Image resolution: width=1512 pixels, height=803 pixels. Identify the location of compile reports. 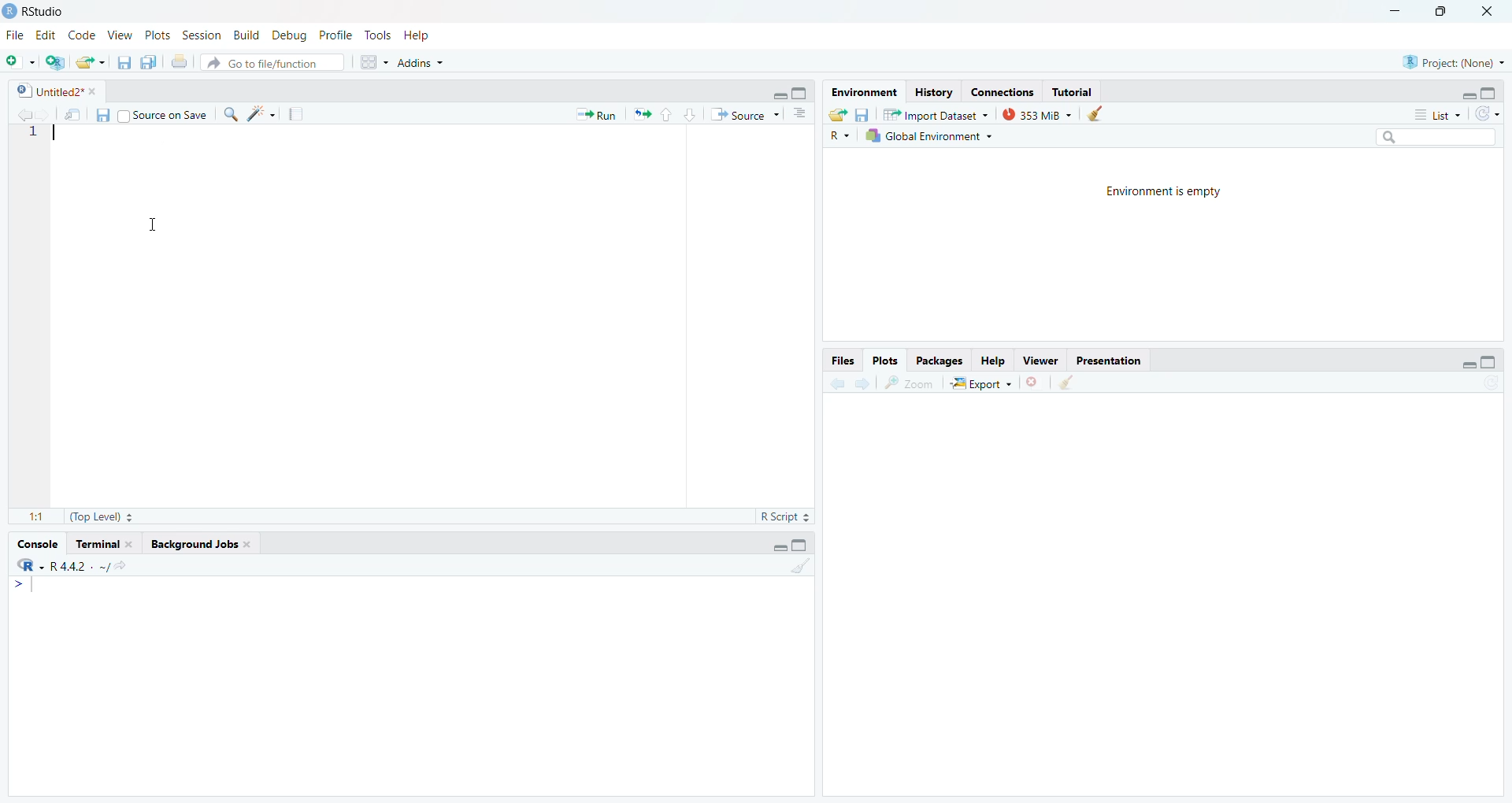
(296, 113).